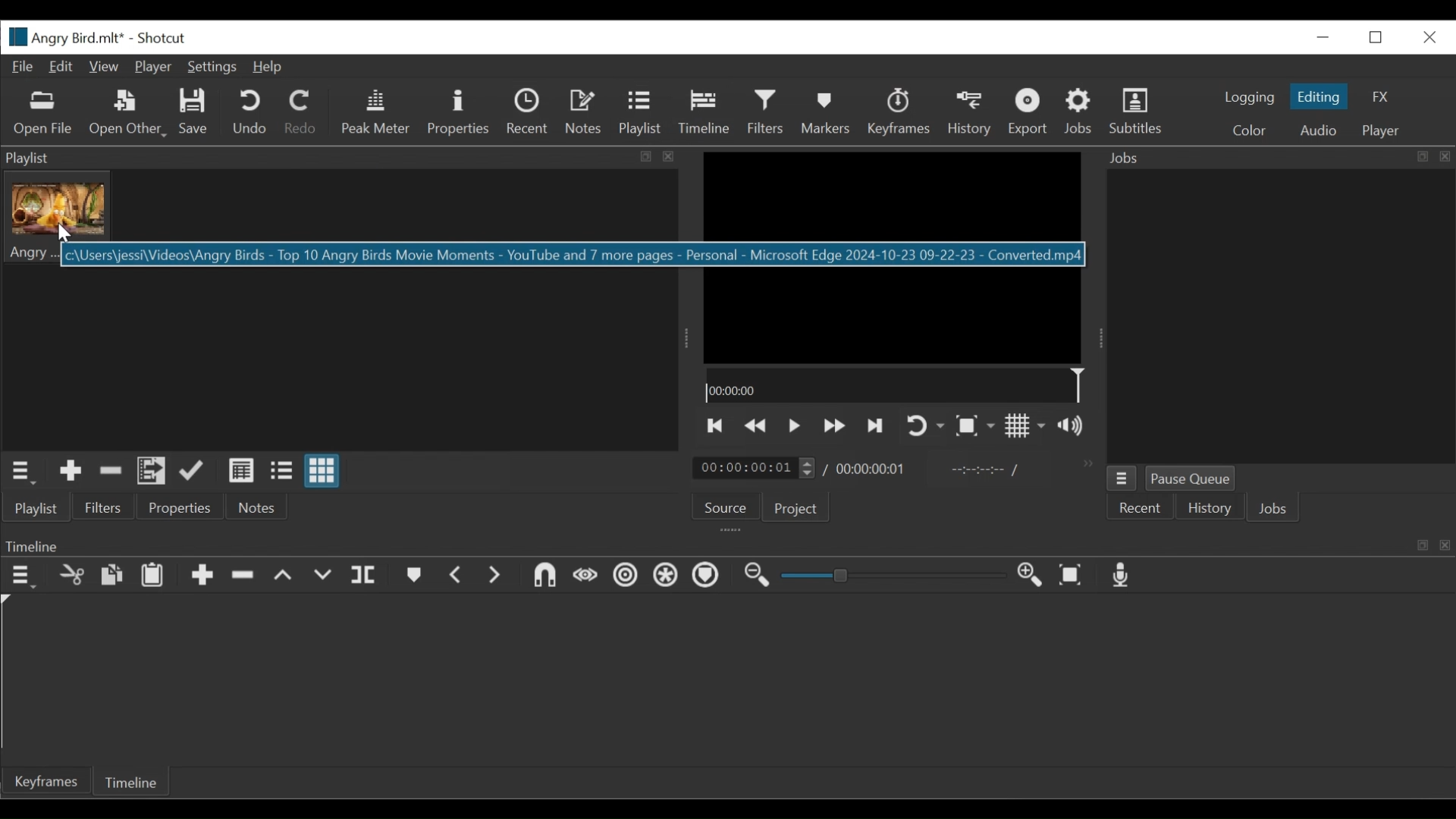 The width and height of the screenshot is (1456, 819). What do you see at coordinates (832, 425) in the screenshot?
I see `Play forward quickly` at bounding box center [832, 425].